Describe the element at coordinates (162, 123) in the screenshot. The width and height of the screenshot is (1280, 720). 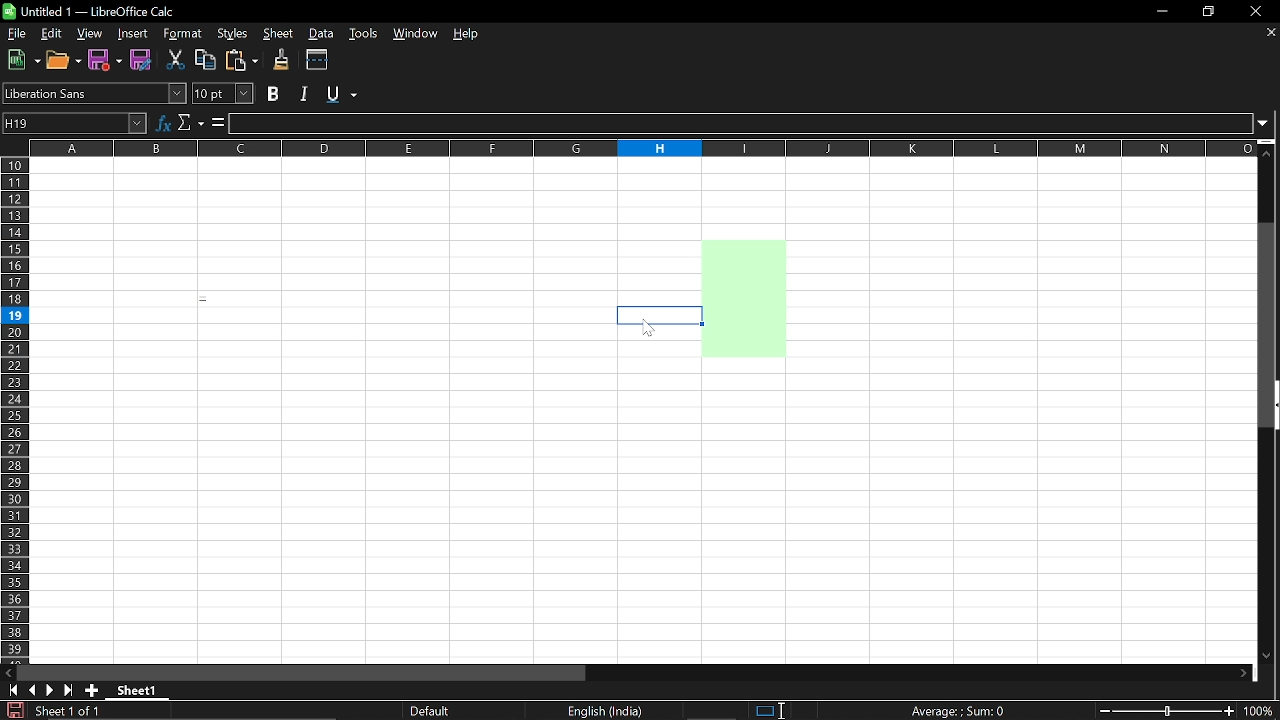
I see `Function wizard` at that location.